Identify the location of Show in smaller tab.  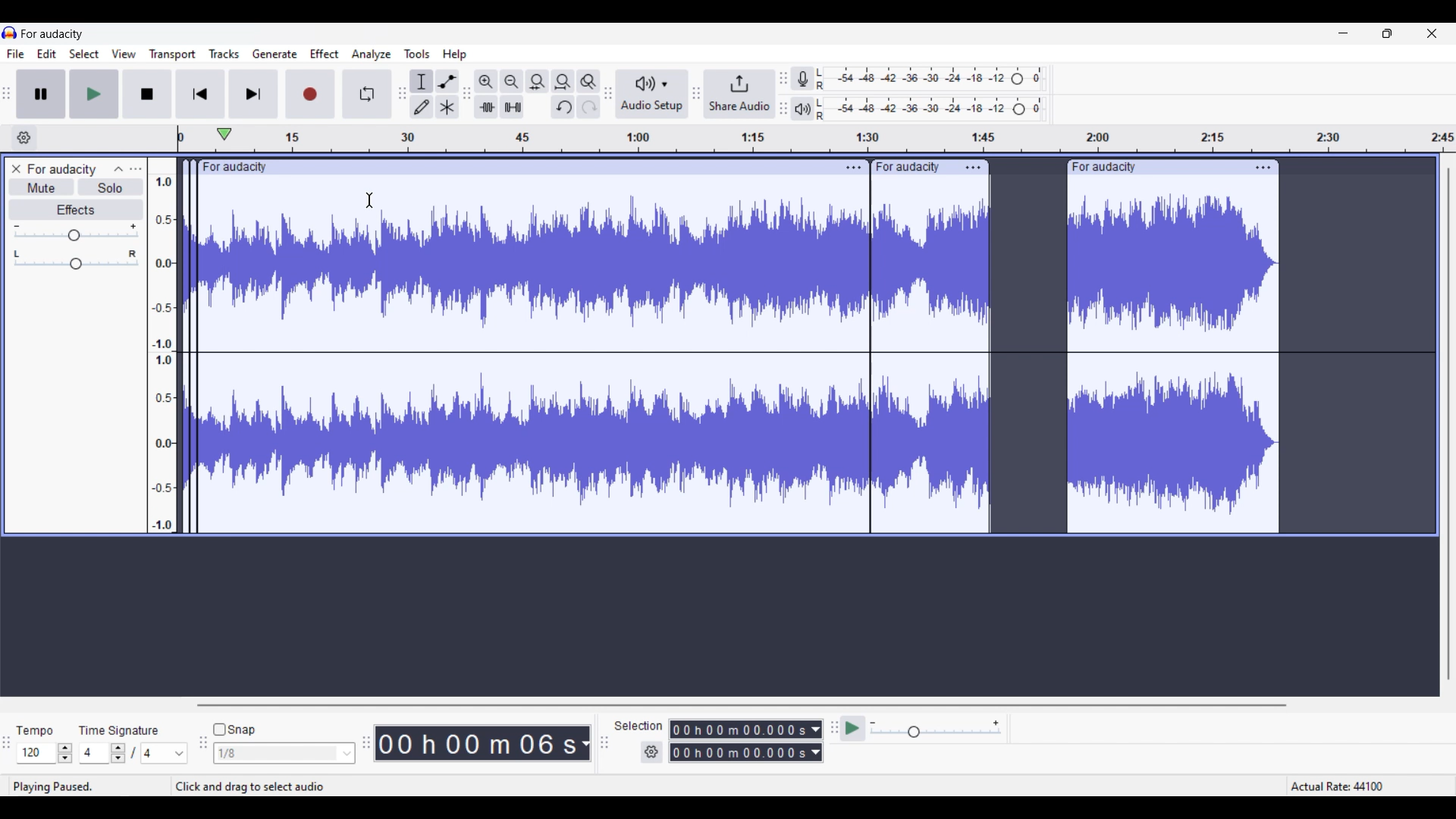
(1387, 33).